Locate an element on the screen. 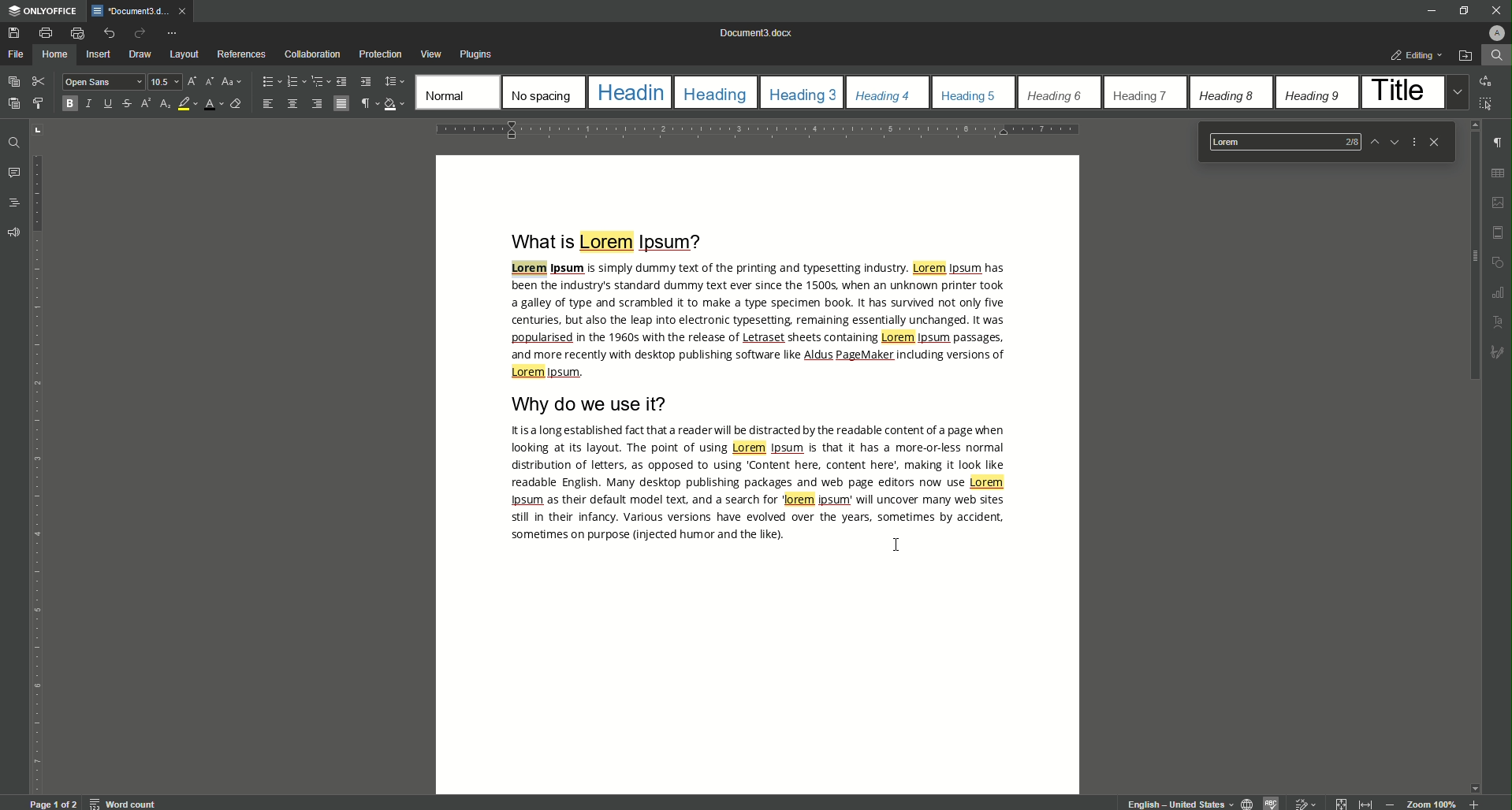 This screenshot has width=1512, height=810. English - United States is located at coordinates (1178, 802).